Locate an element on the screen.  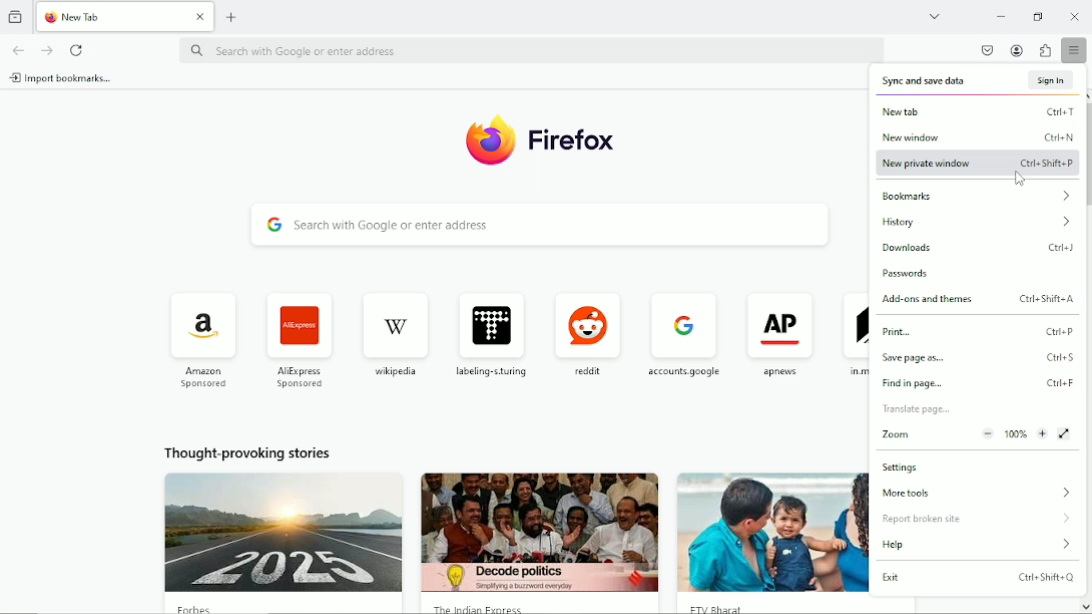
wikipedia is located at coordinates (392, 333).